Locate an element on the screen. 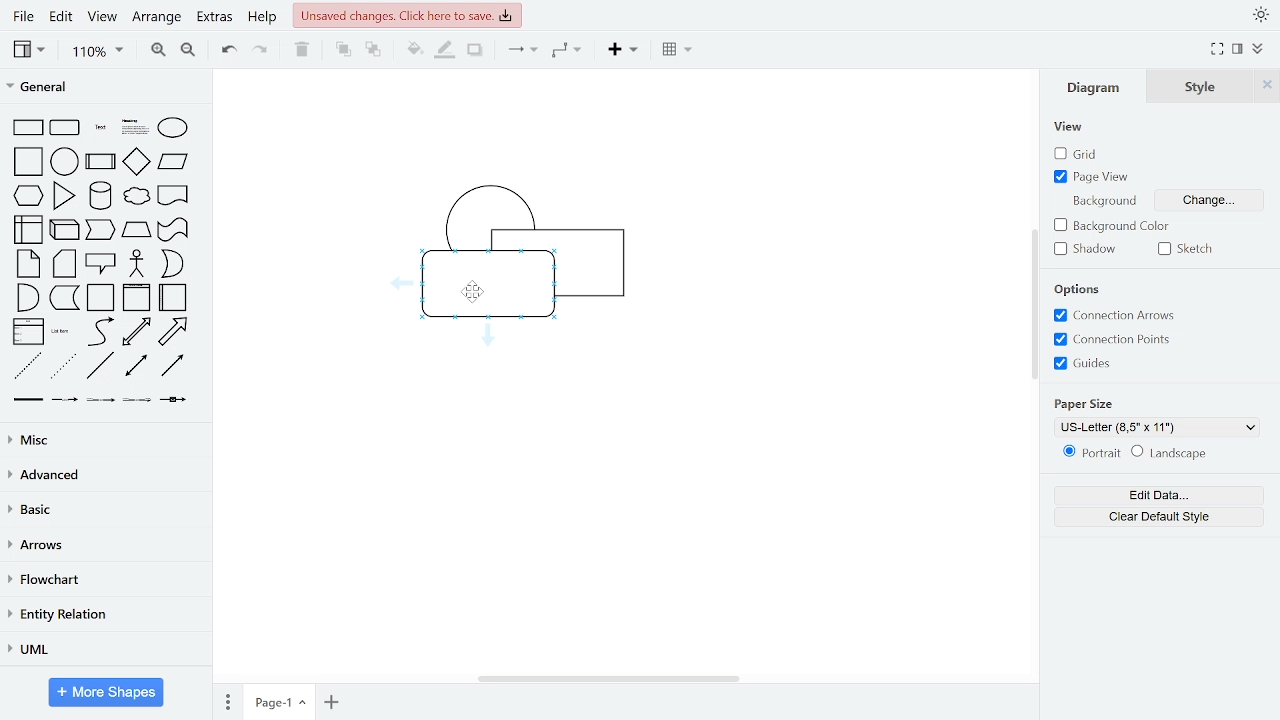  internal storage is located at coordinates (30, 230).